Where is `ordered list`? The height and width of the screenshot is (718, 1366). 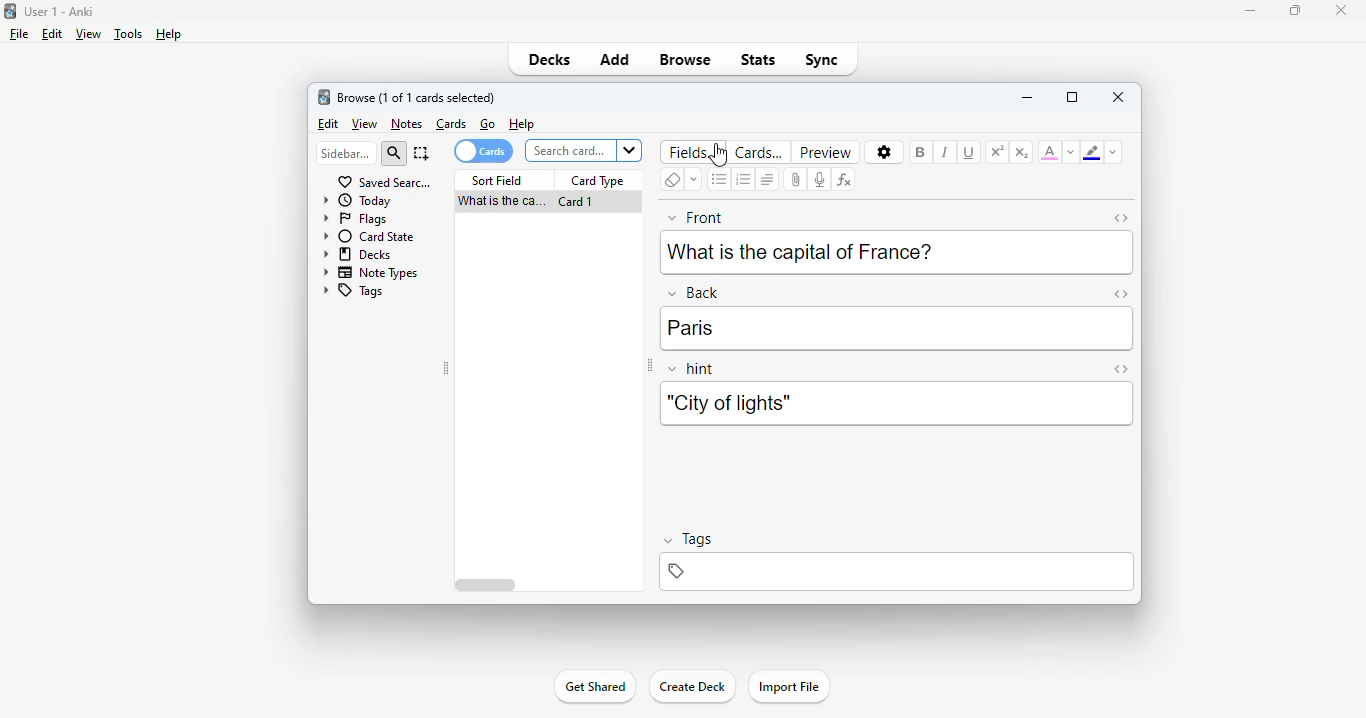 ordered list is located at coordinates (744, 180).